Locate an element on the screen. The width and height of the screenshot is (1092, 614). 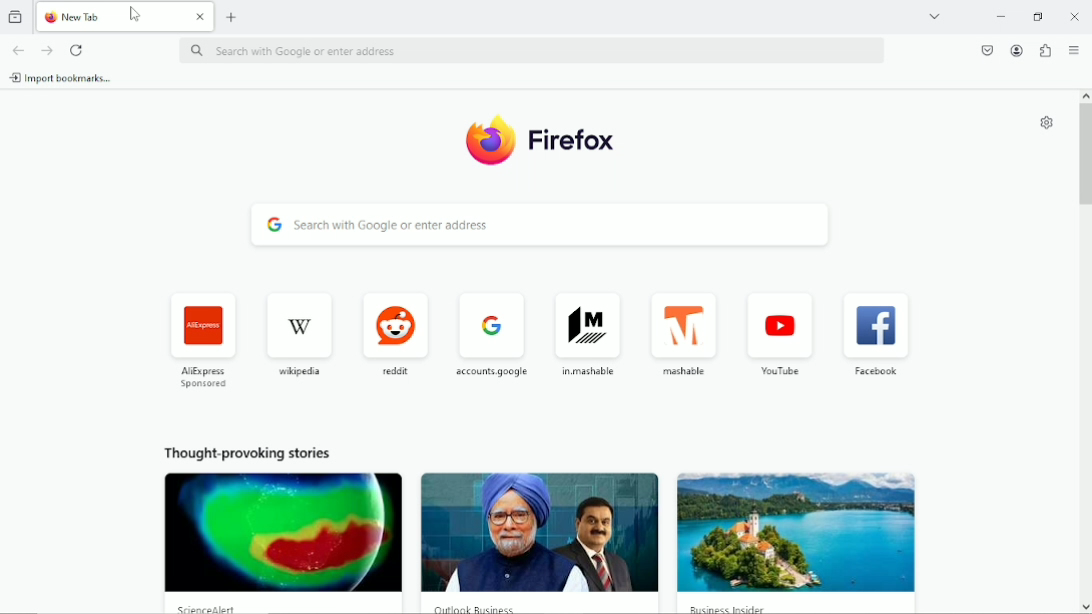
List all tabs is located at coordinates (932, 17).